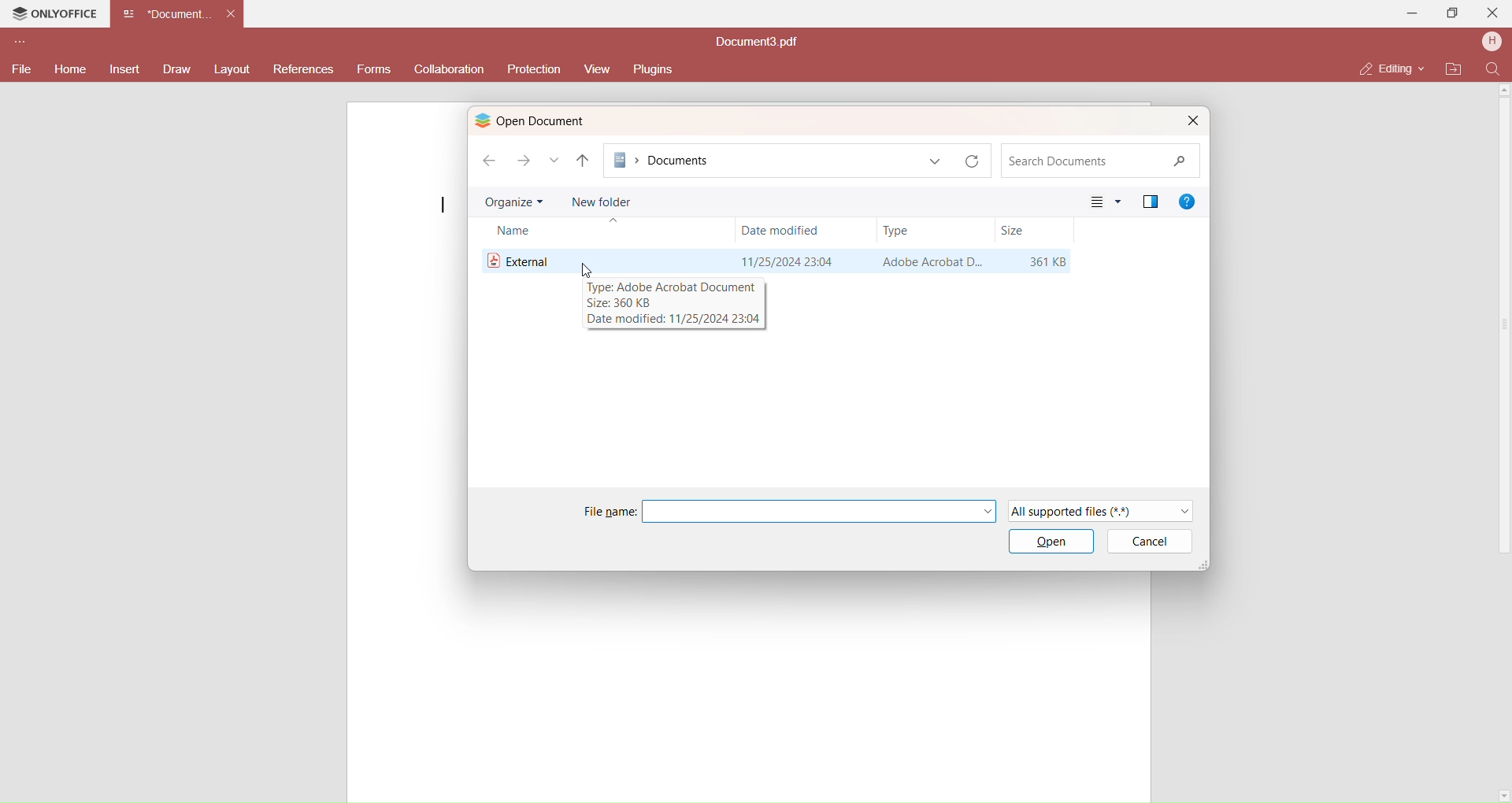 This screenshot has width=1512, height=803. Describe the element at coordinates (532, 69) in the screenshot. I see `Protection` at that location.